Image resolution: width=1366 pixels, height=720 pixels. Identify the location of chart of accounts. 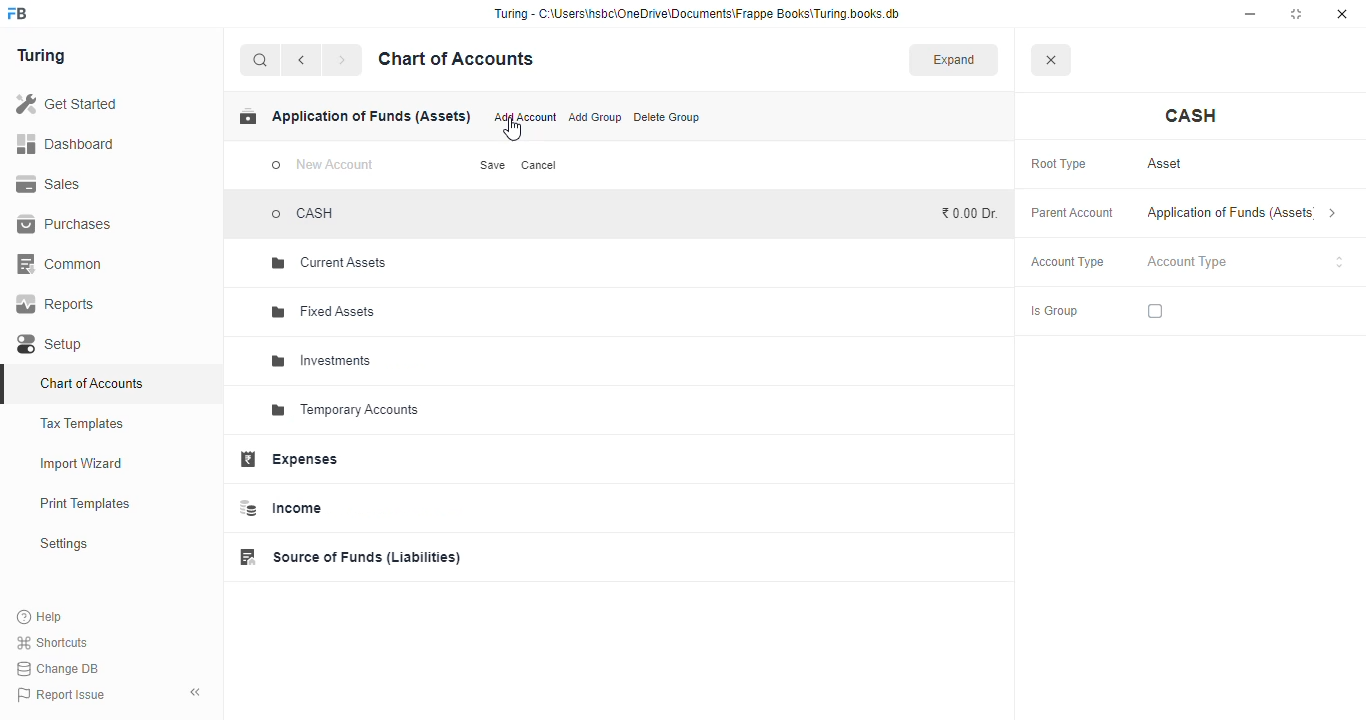
(456, 59).